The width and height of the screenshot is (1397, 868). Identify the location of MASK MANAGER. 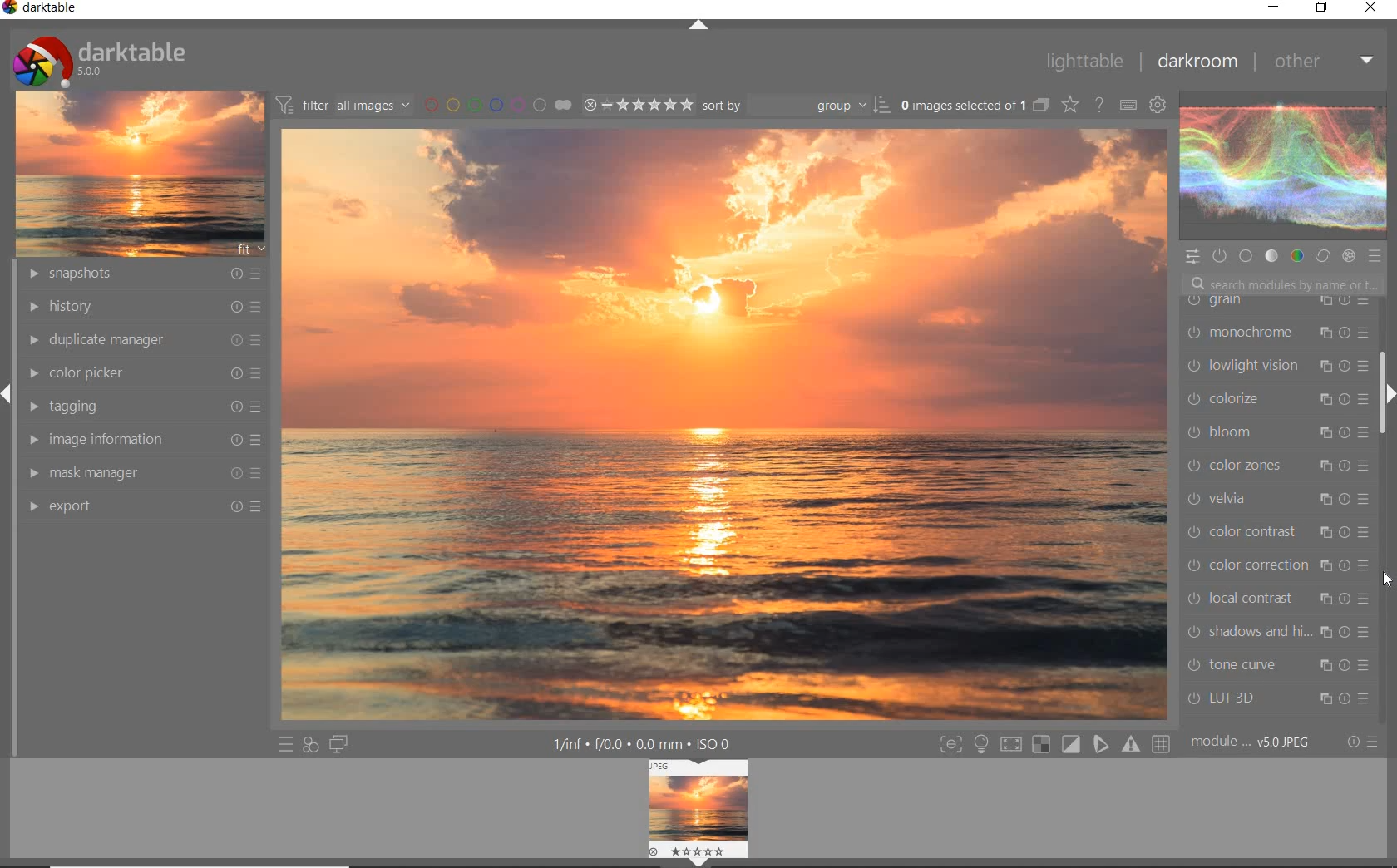
(143, 472).